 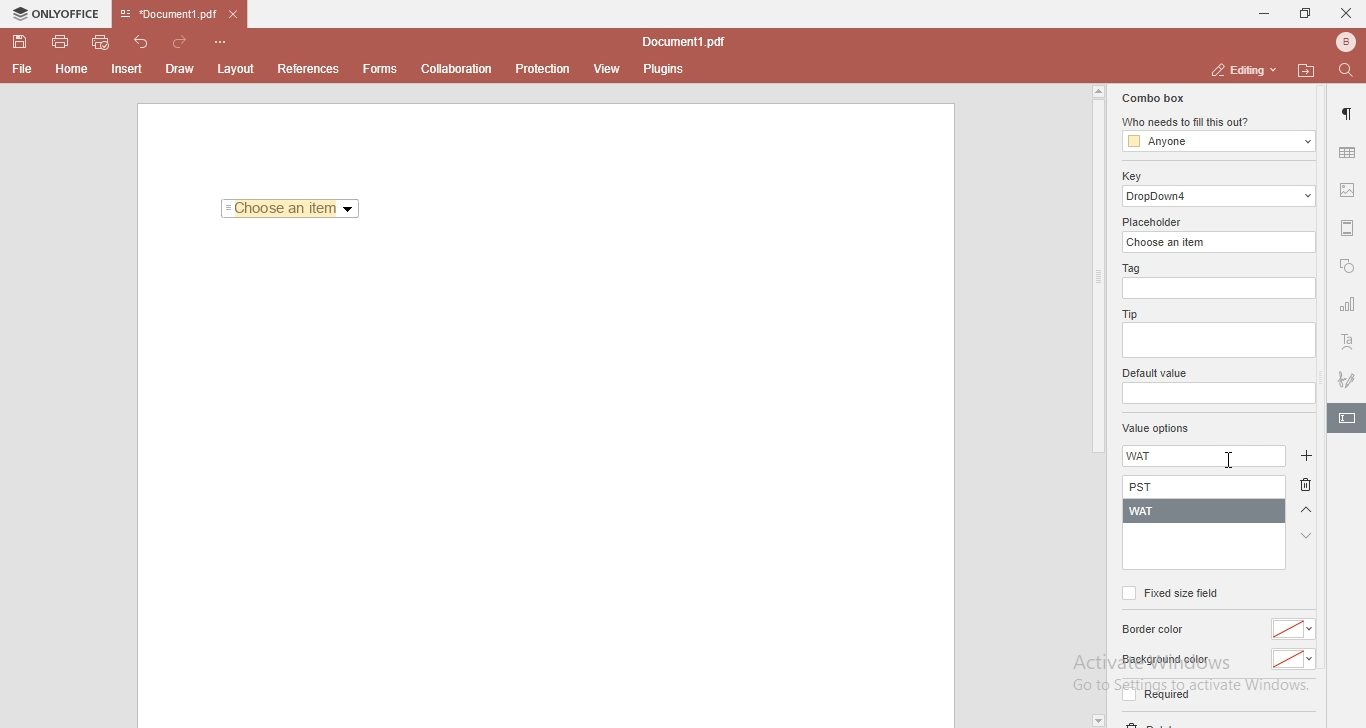 What do you see at coordinates (1156, 430) in the screenshot?
I see `value options` at bounding box center [1156, 430].